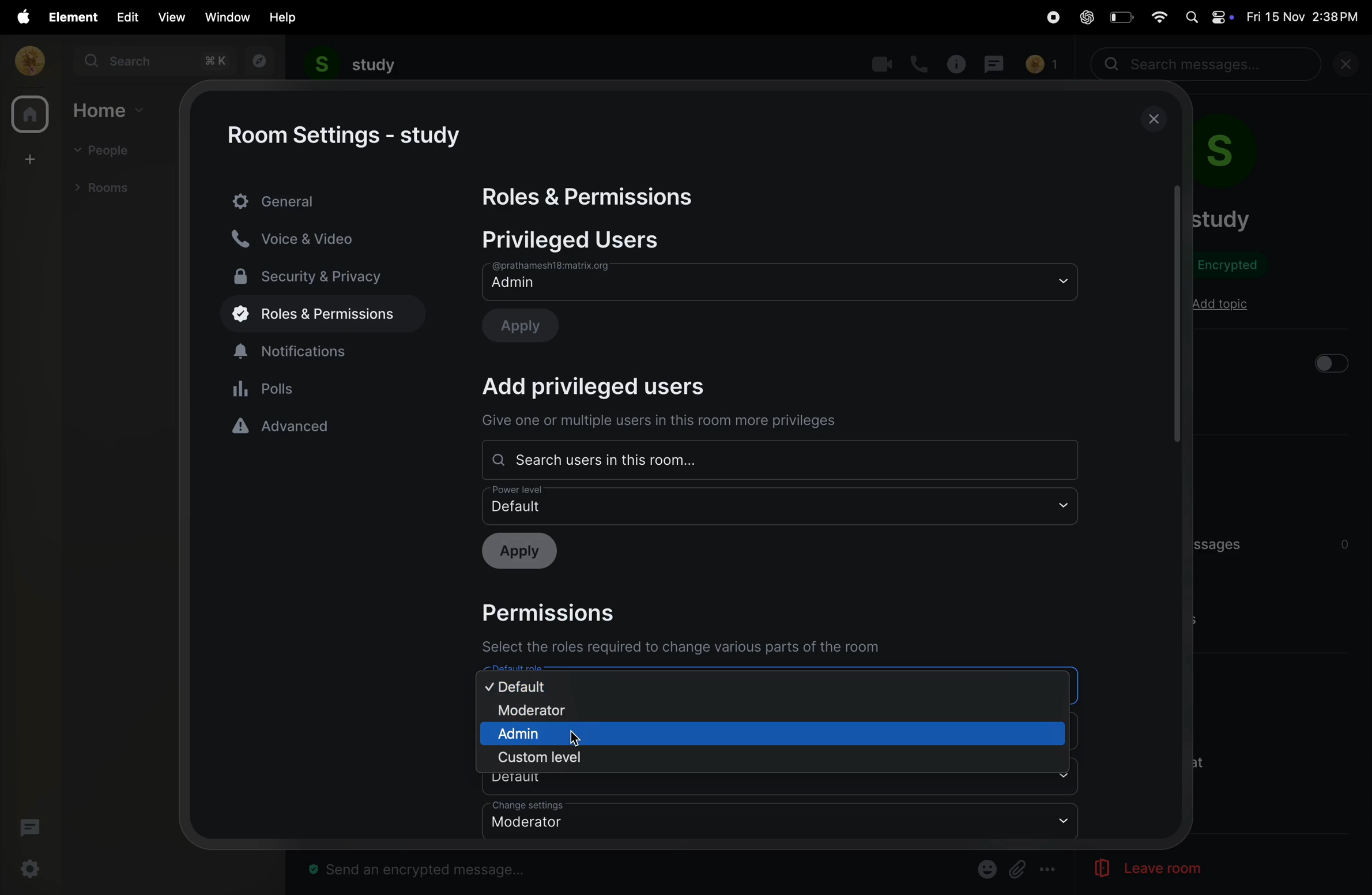 The width and height of the screenshot is (1372, 895). I want to click on genreral , so click(325, 200).